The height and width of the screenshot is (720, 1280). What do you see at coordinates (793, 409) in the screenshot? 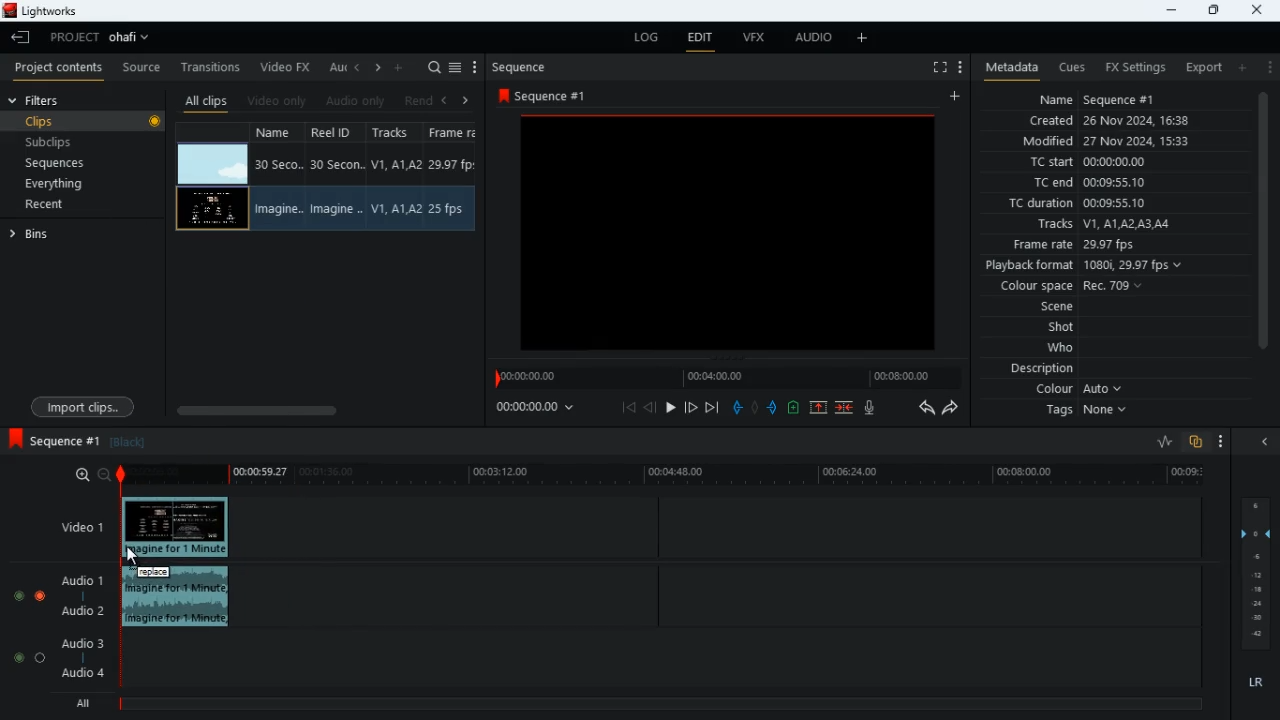
I see `up` at bounding box center [793, 409].